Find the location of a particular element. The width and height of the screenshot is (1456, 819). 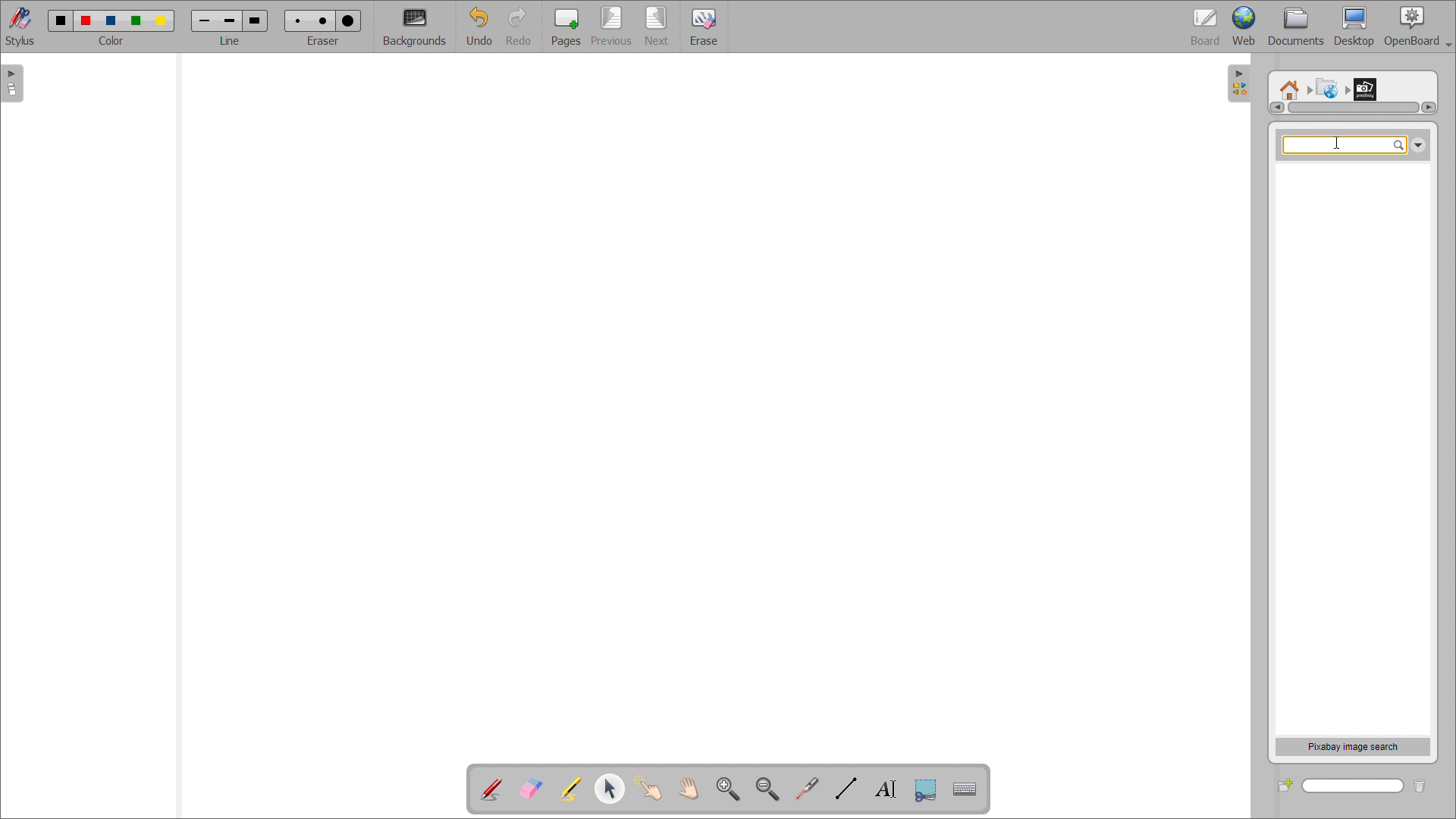

redo is located at coordinates (521, 27).